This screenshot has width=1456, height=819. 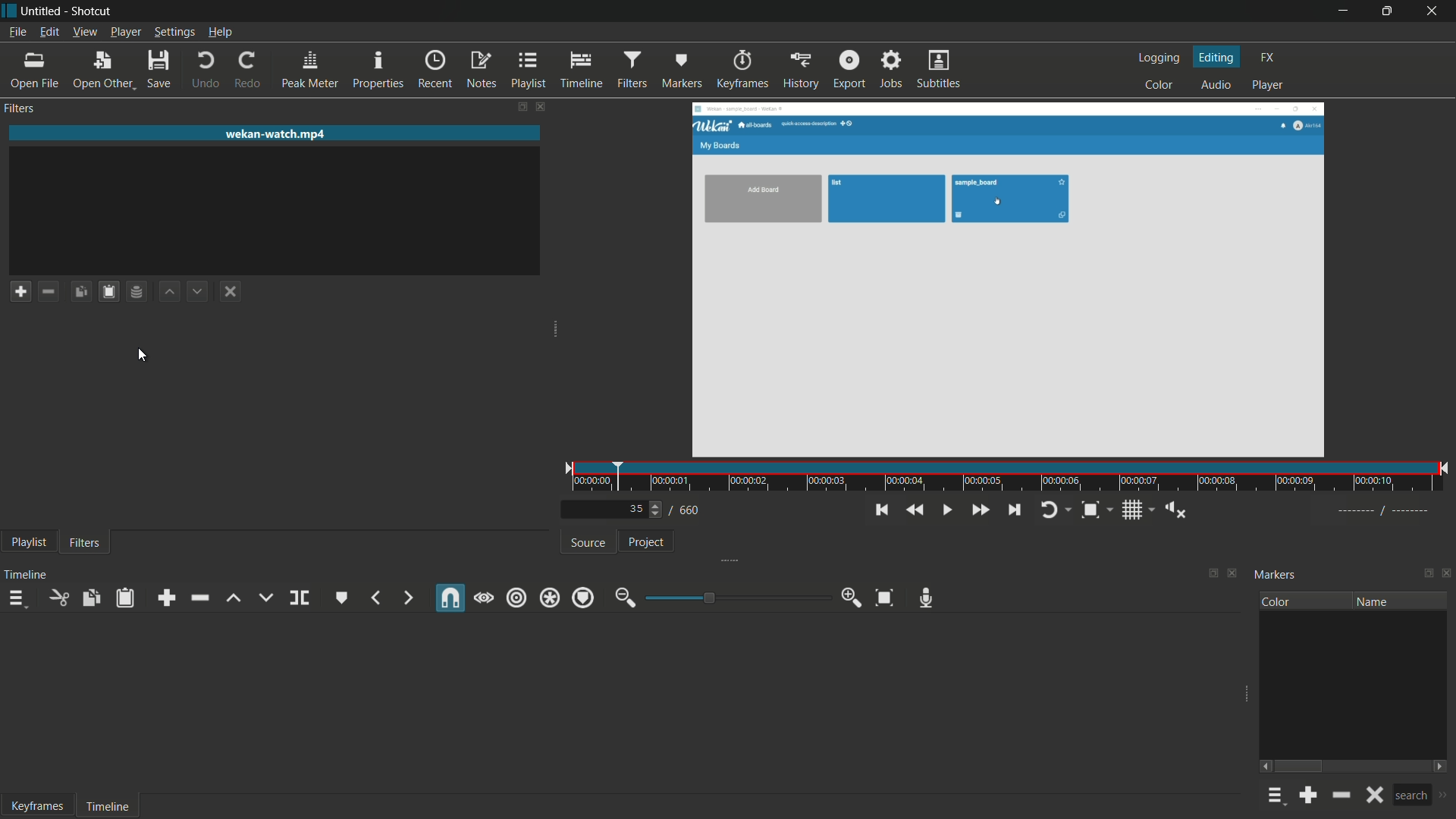 What do you see at coordinates (275, 134) in the screenshot?
I see `imported file name` at bounding box center [275, 134].